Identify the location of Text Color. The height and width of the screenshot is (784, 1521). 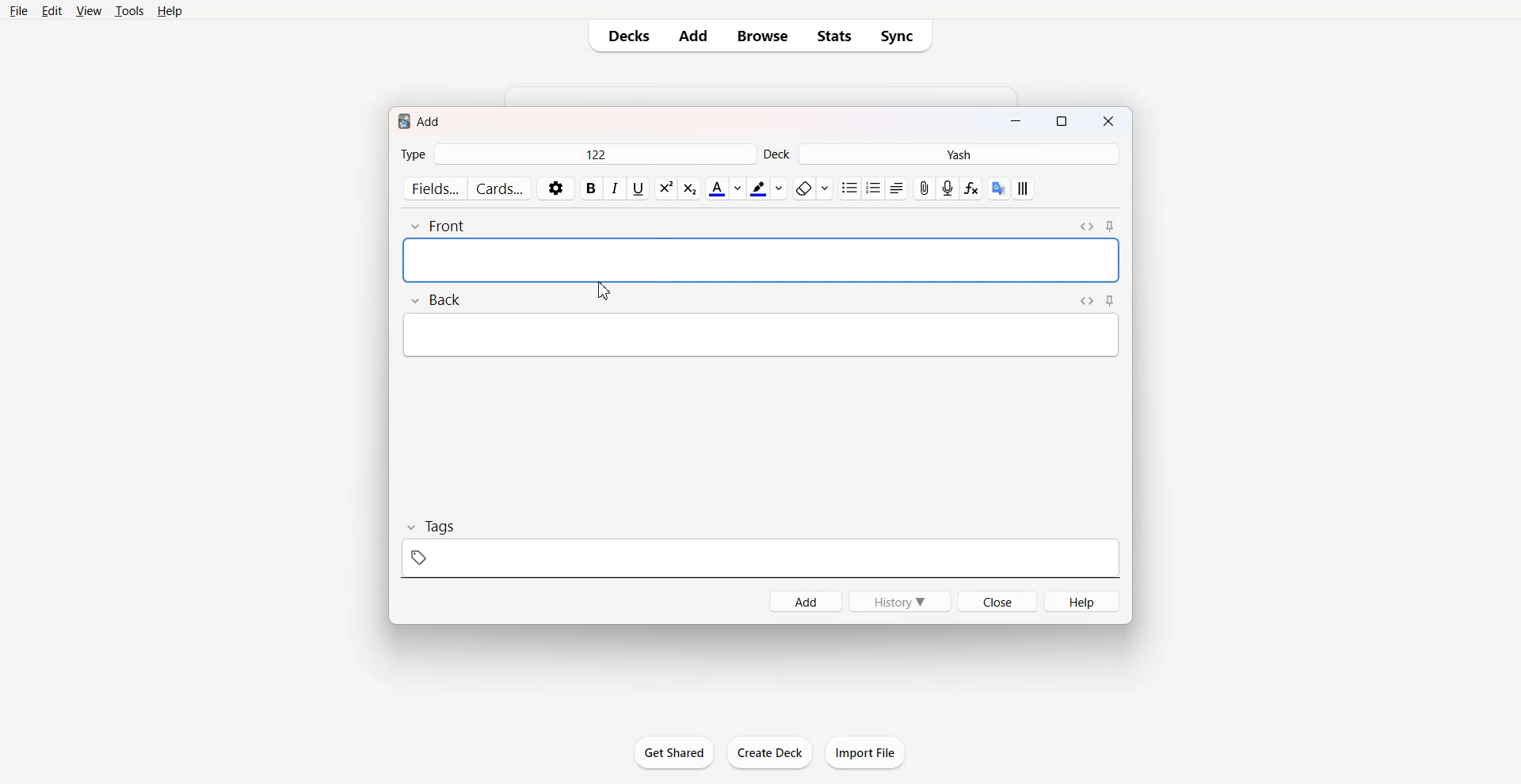
(725, 188).